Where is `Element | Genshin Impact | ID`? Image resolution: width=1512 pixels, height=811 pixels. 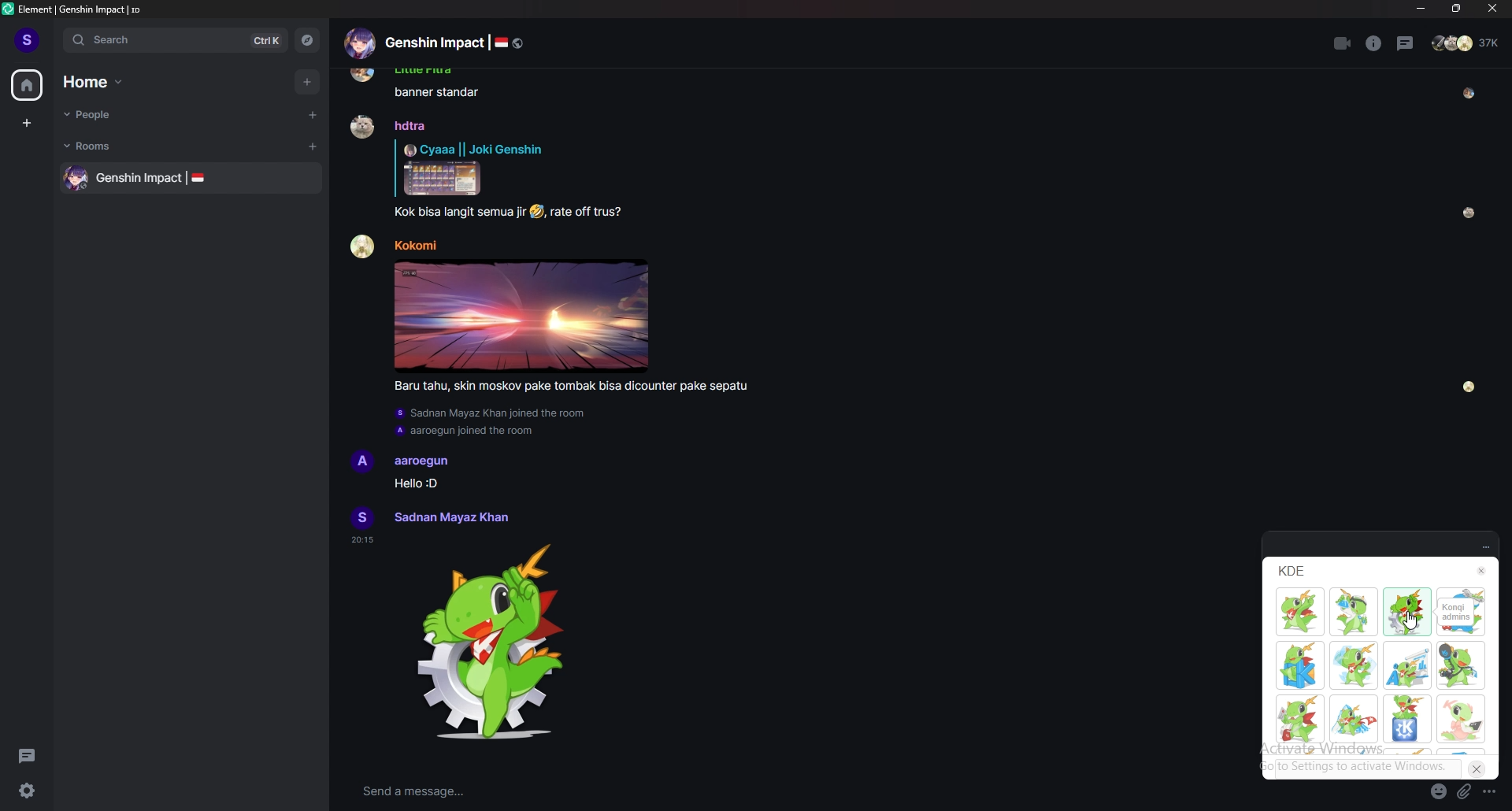 Element | Genshin Impact | ID is located at coordinates (81, 9).